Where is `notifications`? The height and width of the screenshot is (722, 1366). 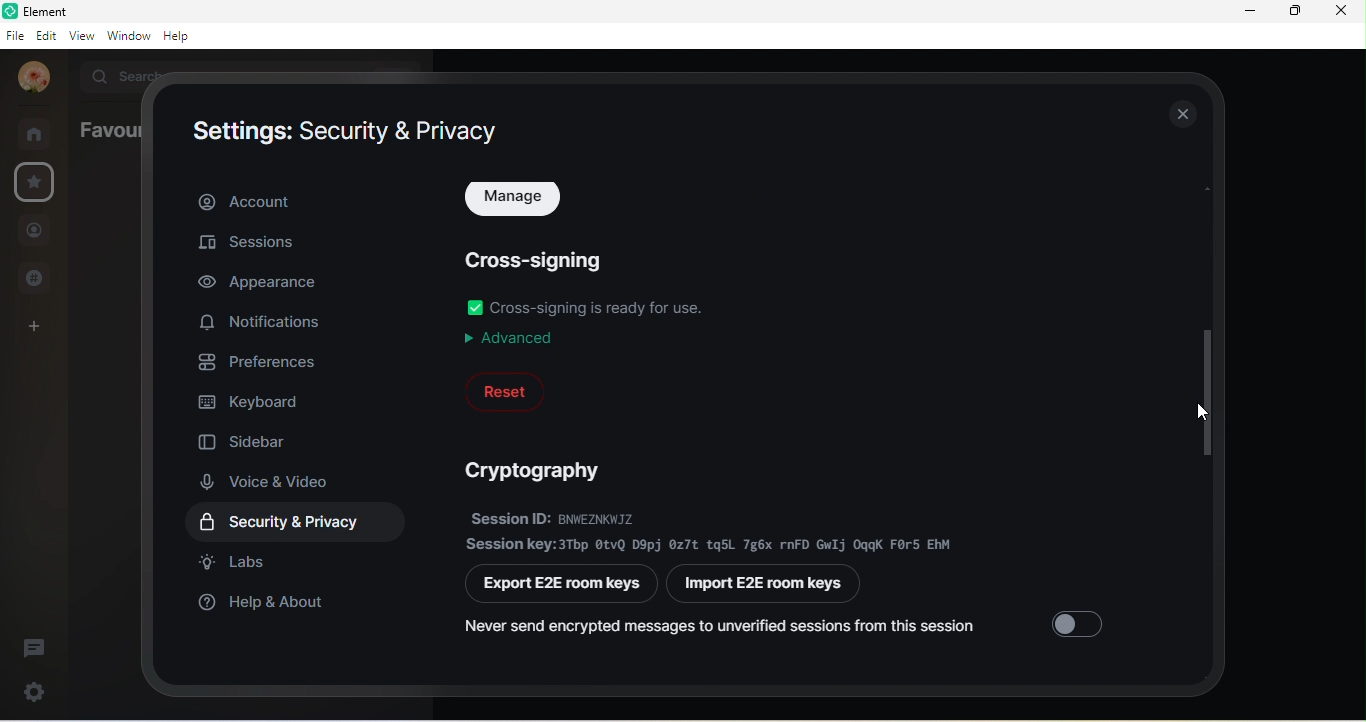
notifications is located at coordinates (266, 323).